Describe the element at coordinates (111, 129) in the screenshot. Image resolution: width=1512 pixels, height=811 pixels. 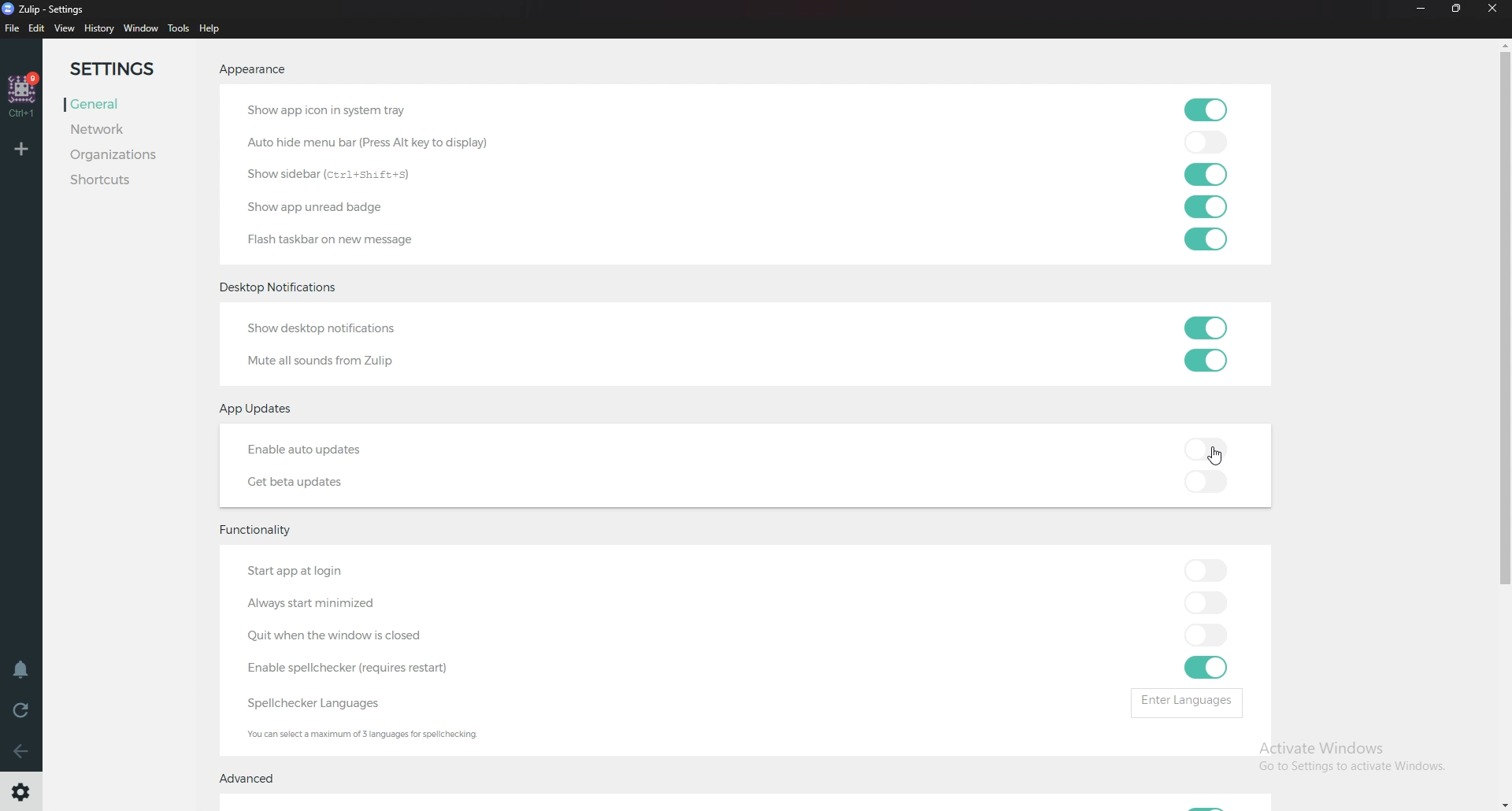
I see `Network` at that location.